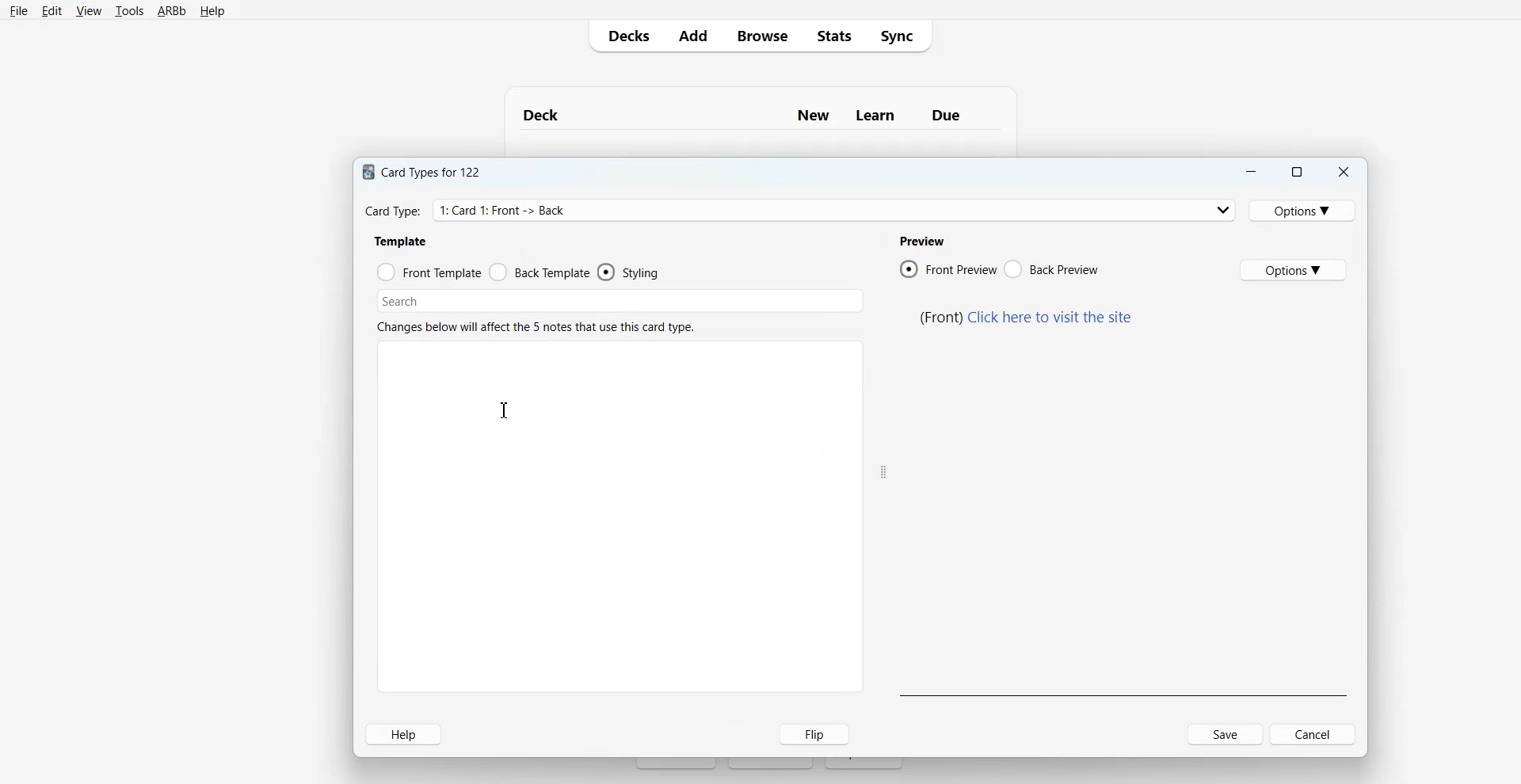 This screenshot has height=784, width=1521. Describe the element at coordinates (405, 733) in the screenshot. I see `Help` at that location.